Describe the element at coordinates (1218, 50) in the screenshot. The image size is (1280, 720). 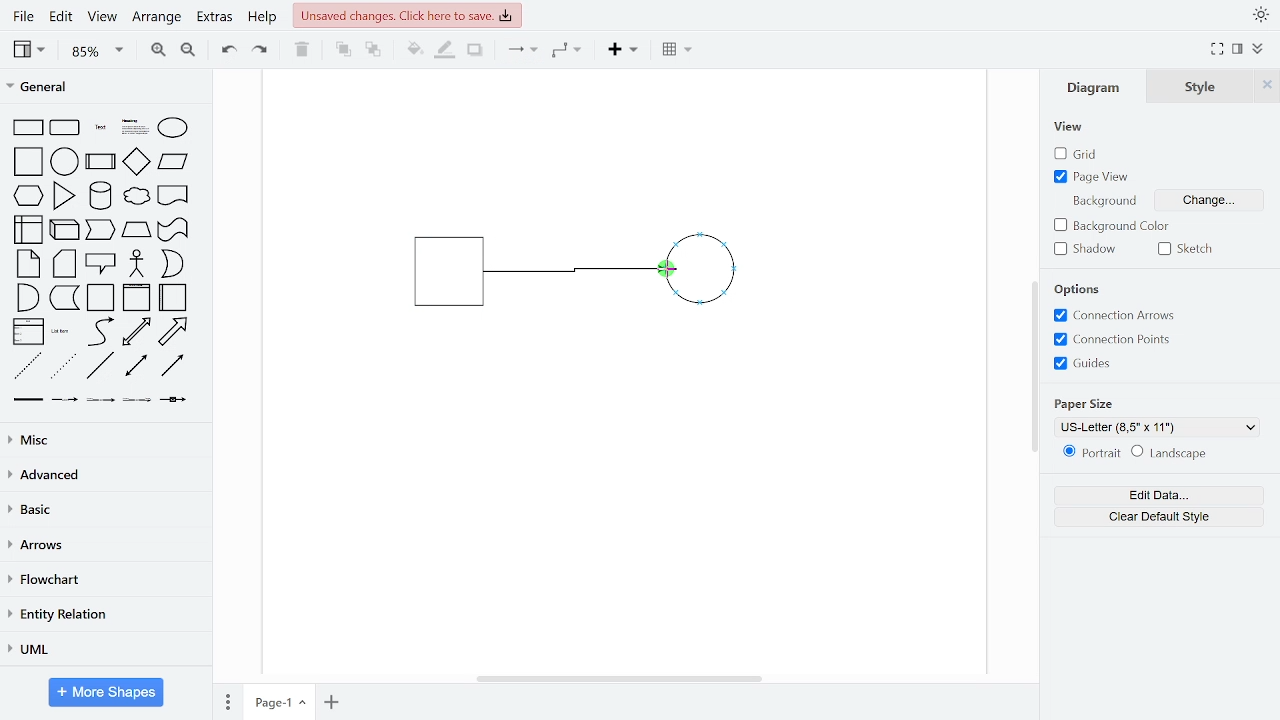
I see `full screen` at that location.